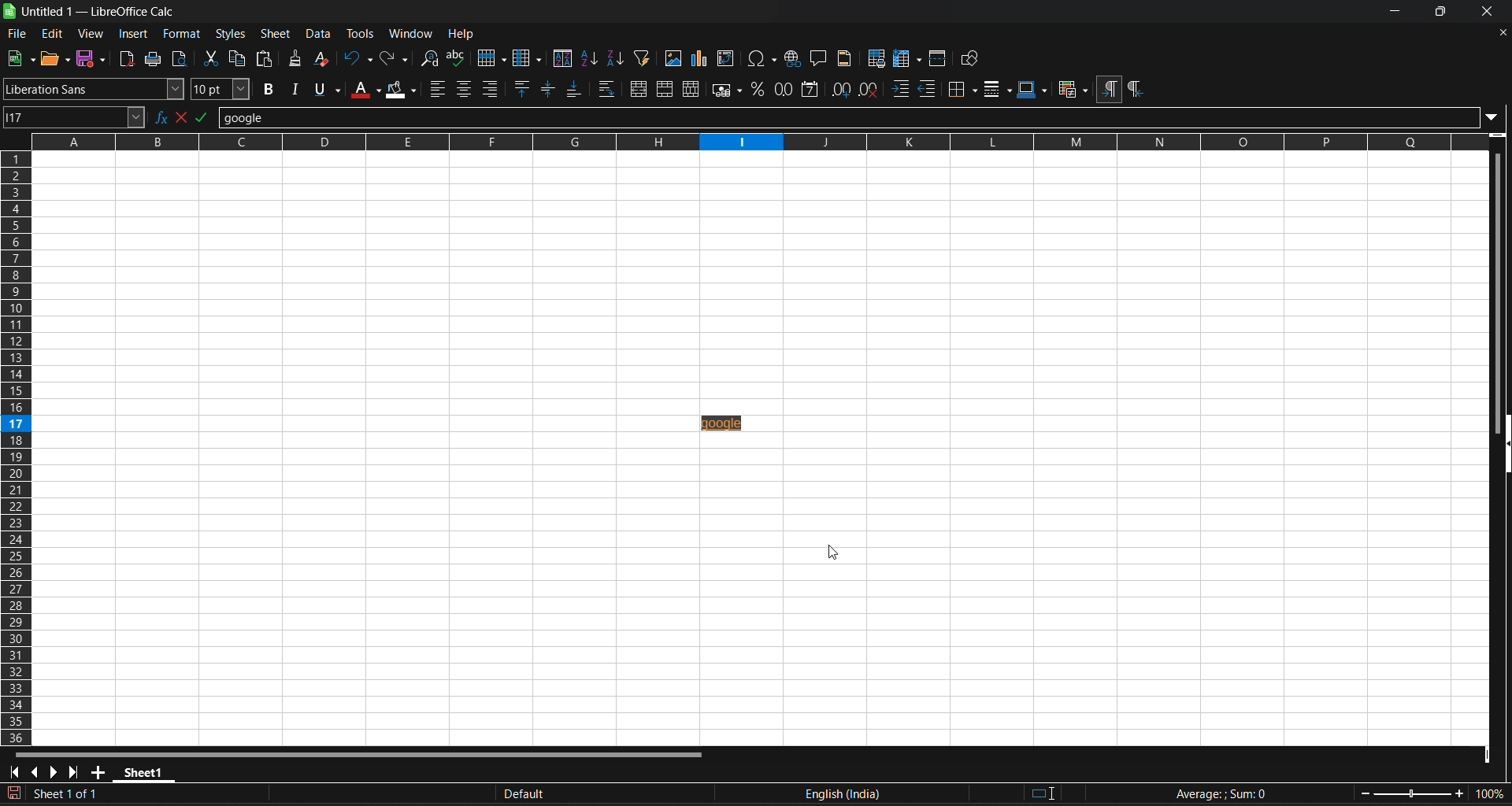 This screenshot has width=1512, height=806. What do you see at coordinates (847, 58) in the screenshot?
I see `headers and footers` at bounding box center [847, 58].